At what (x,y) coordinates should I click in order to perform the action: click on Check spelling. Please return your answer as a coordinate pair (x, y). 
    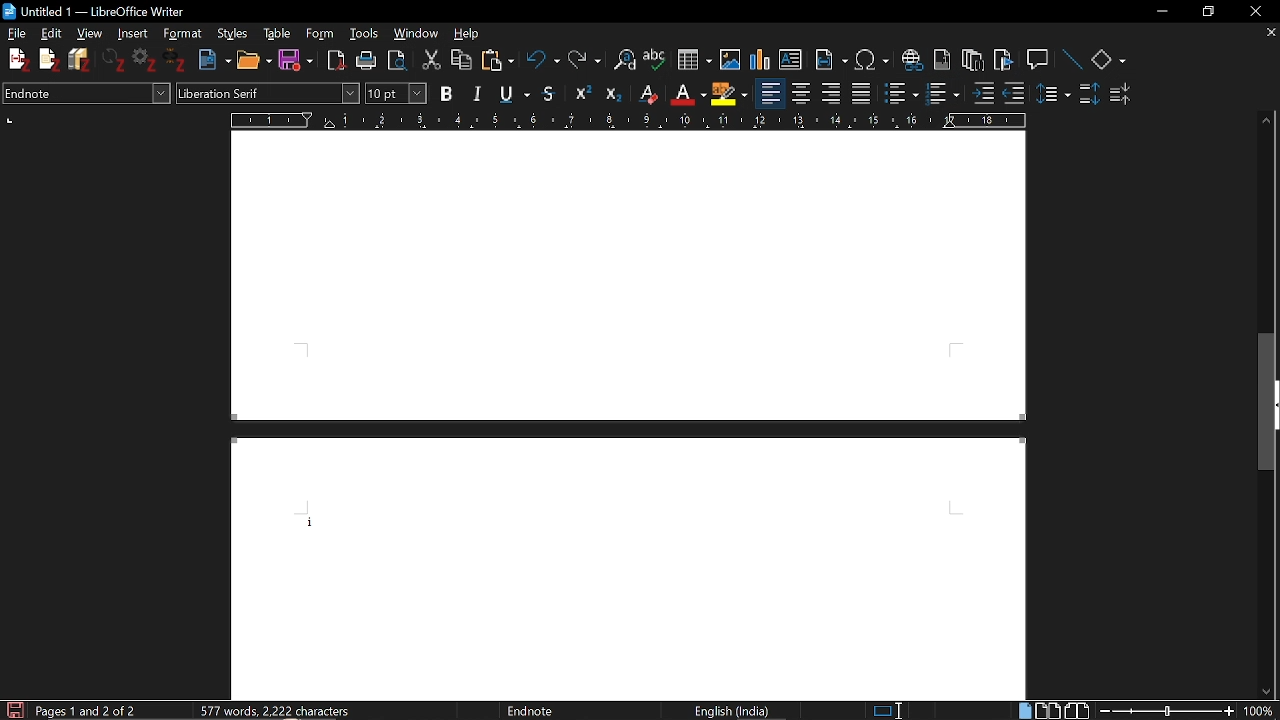
    Looking at the image, I should click on (656, 61).